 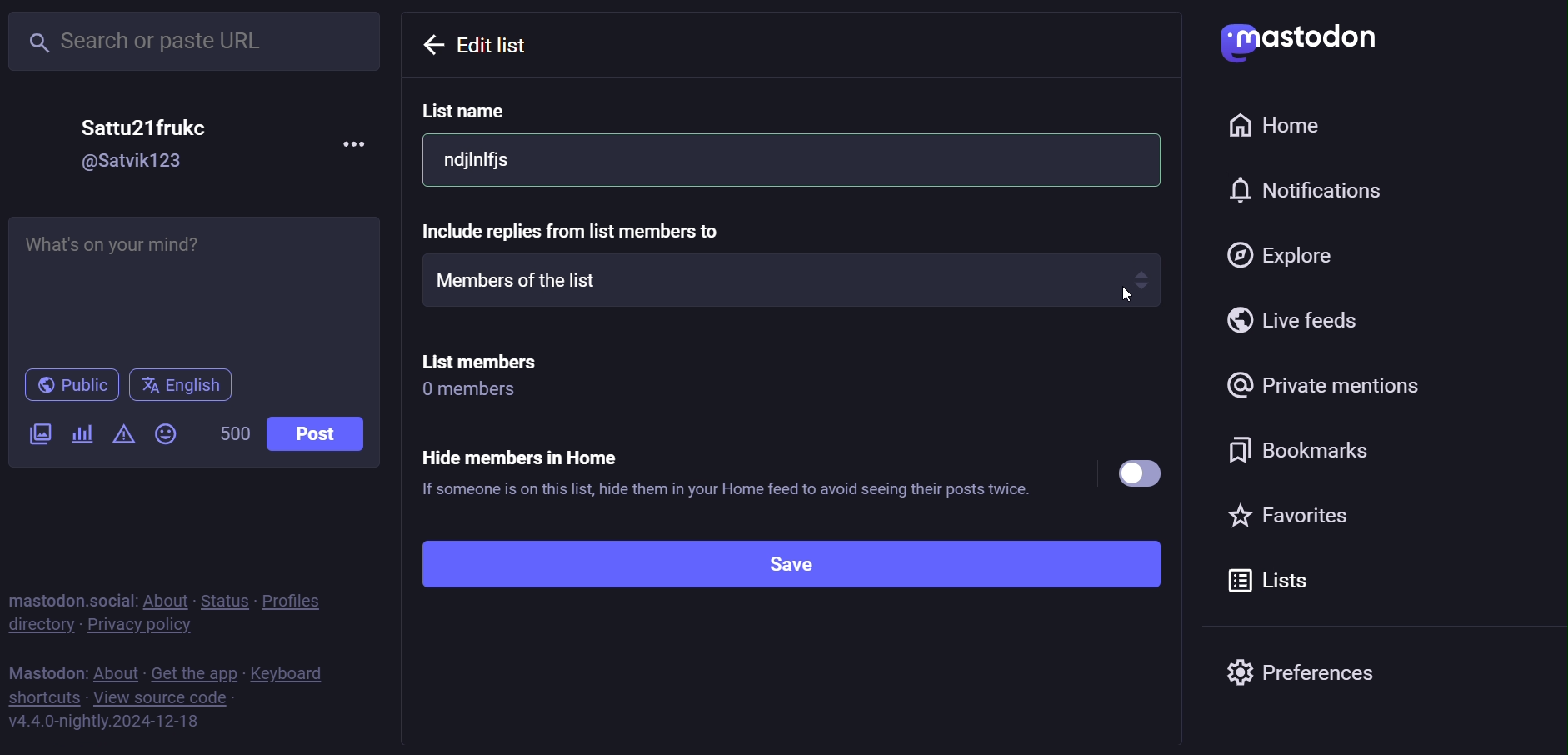 I want to click on status, so click(x=224, y=598).